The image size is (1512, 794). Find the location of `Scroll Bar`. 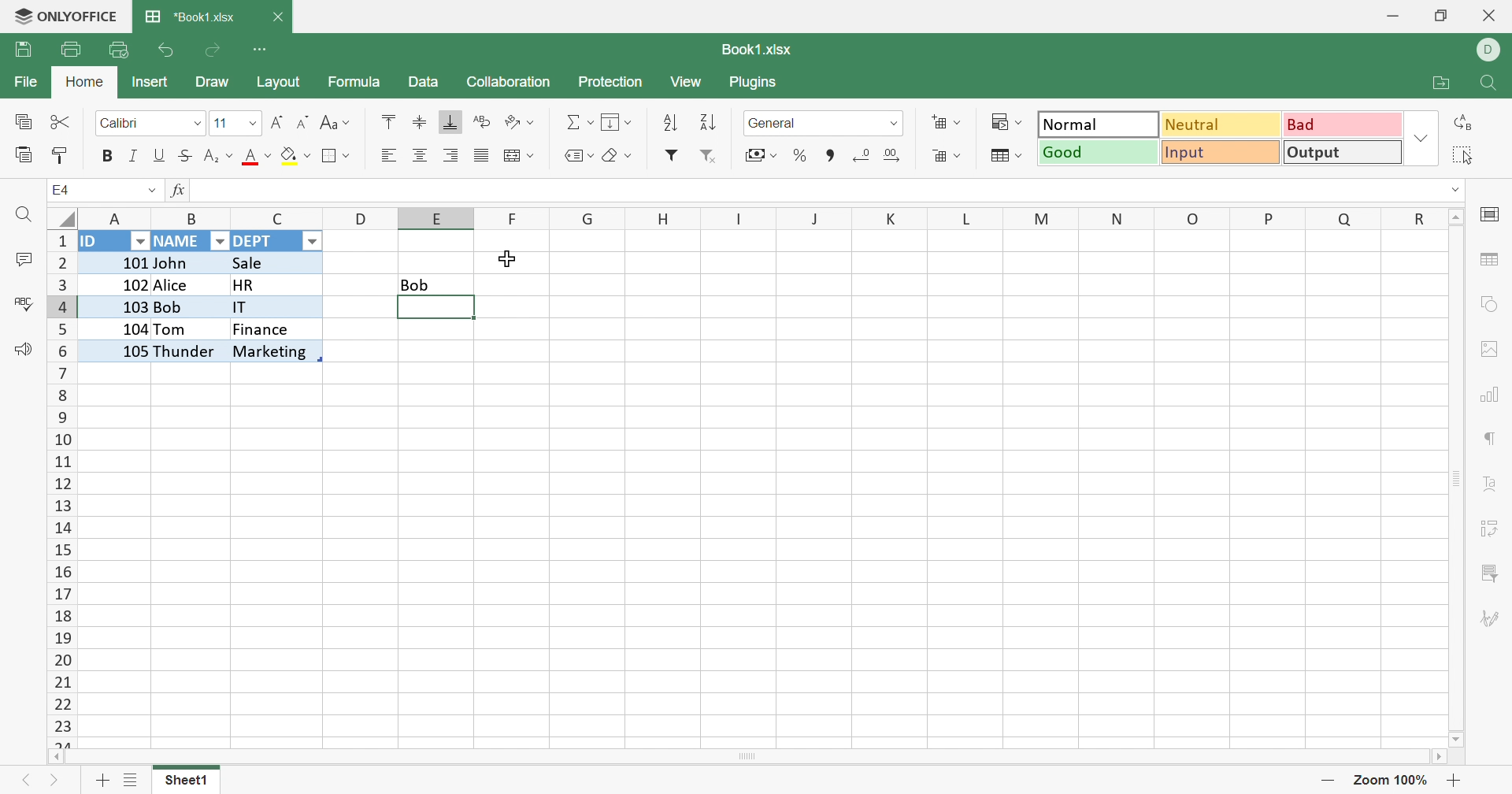

Scroll Bar is located at coordinates (749, 756).